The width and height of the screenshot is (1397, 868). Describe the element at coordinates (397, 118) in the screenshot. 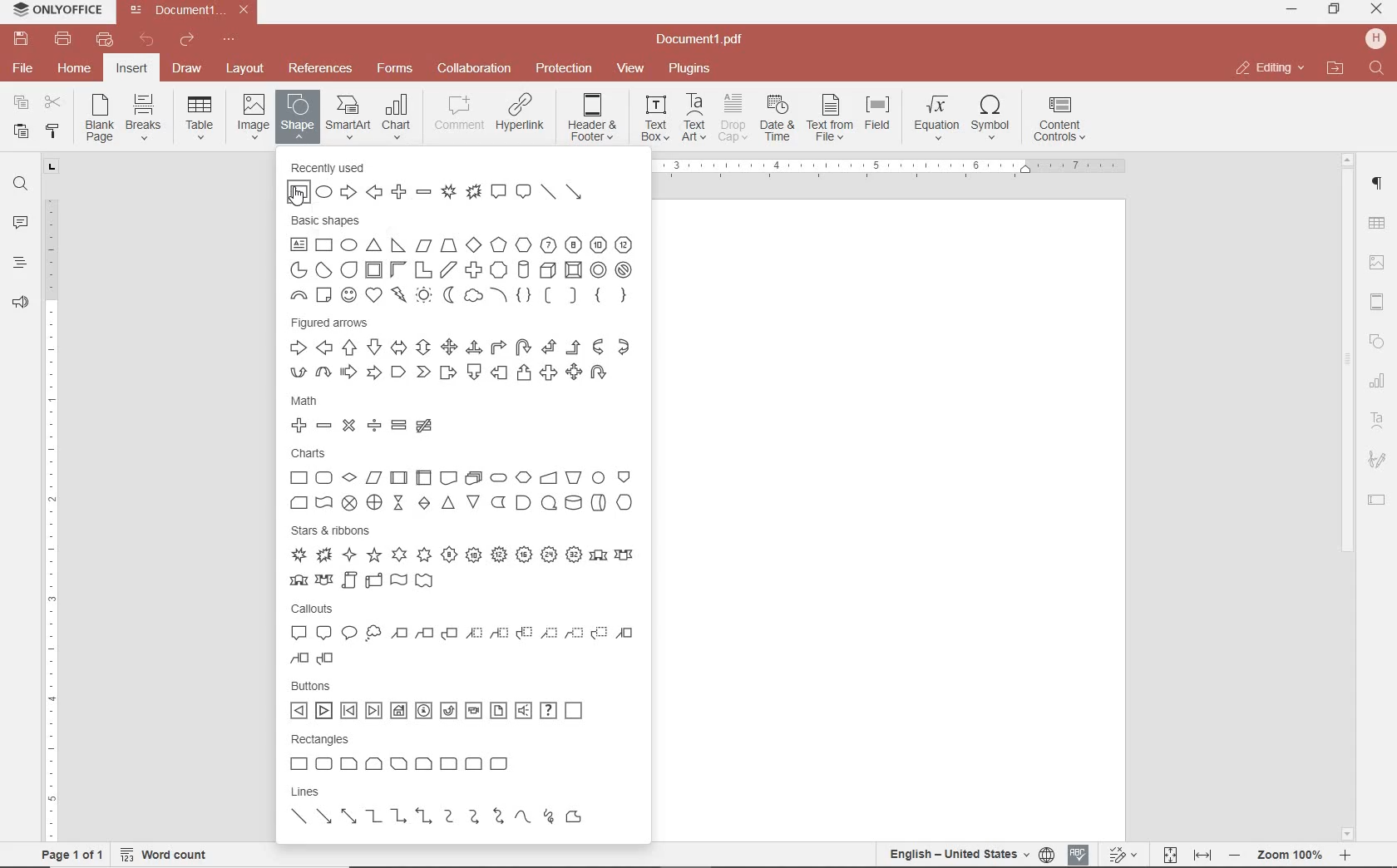

I see `INSERT CHAT` at that location.